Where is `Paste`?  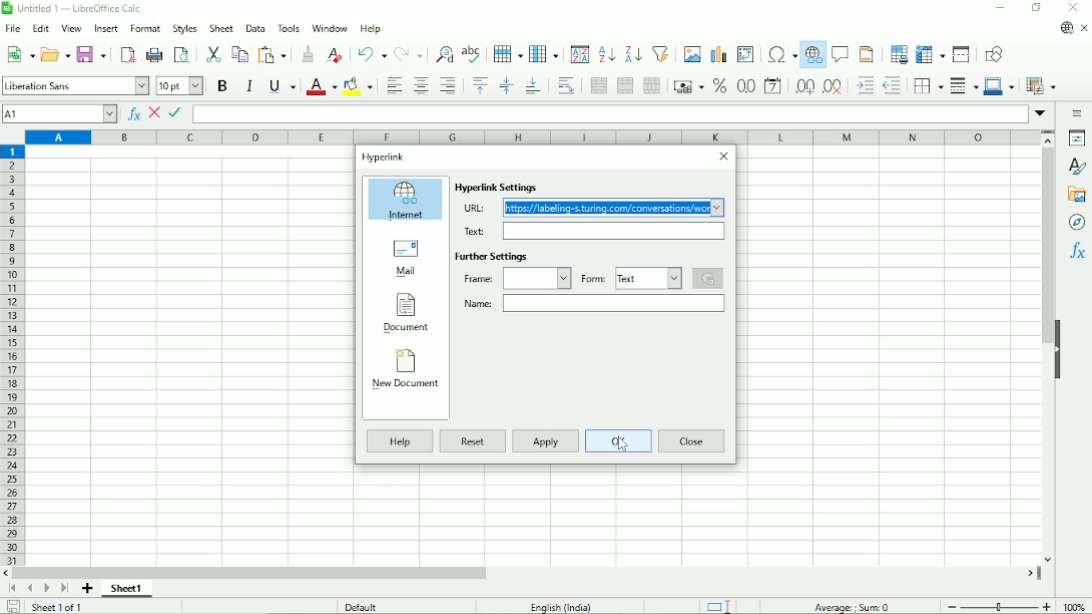
Paste is located at coordinates (274, 54).